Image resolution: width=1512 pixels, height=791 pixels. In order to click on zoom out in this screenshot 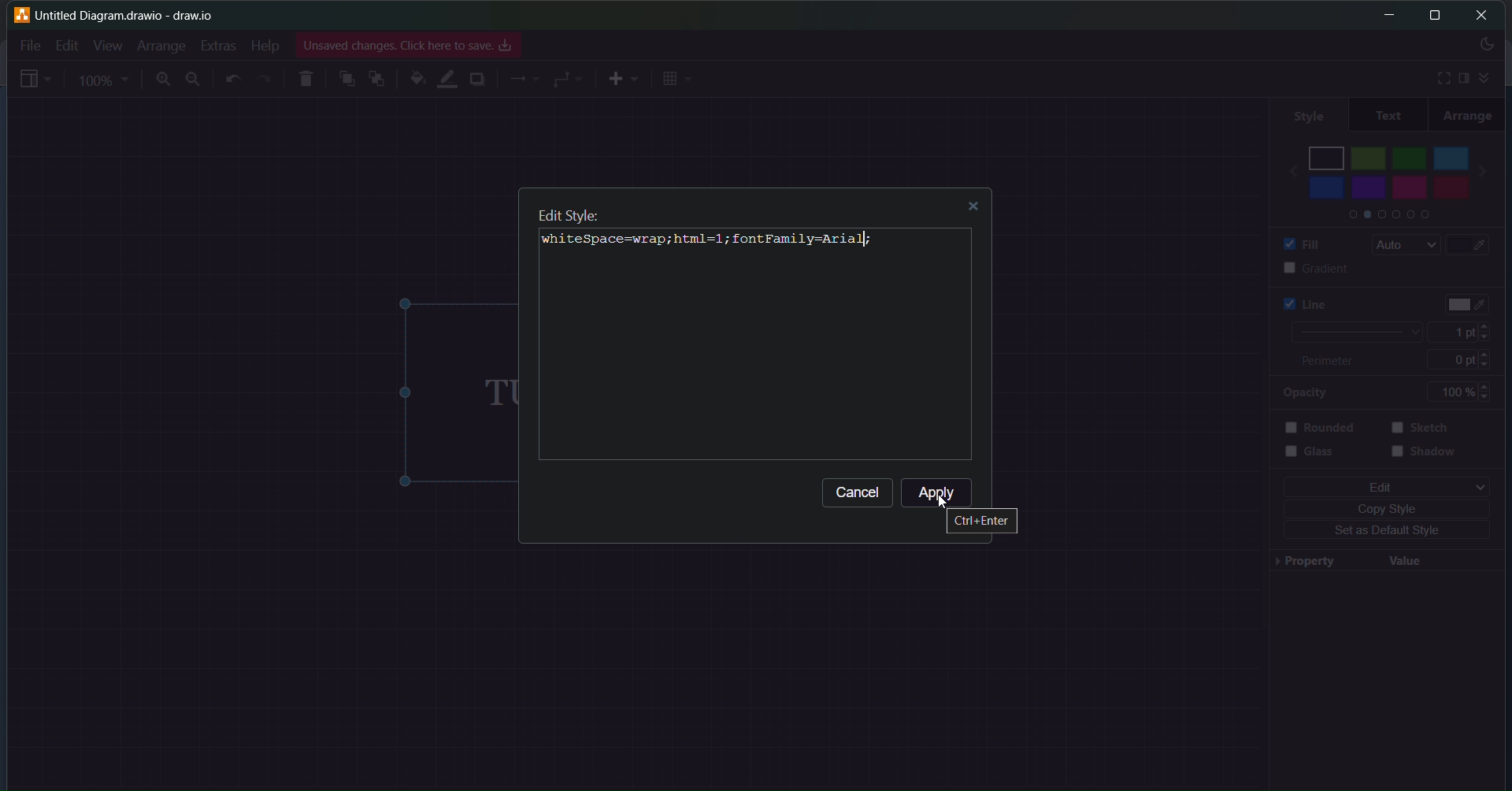, I will do `click(195, 79)`.